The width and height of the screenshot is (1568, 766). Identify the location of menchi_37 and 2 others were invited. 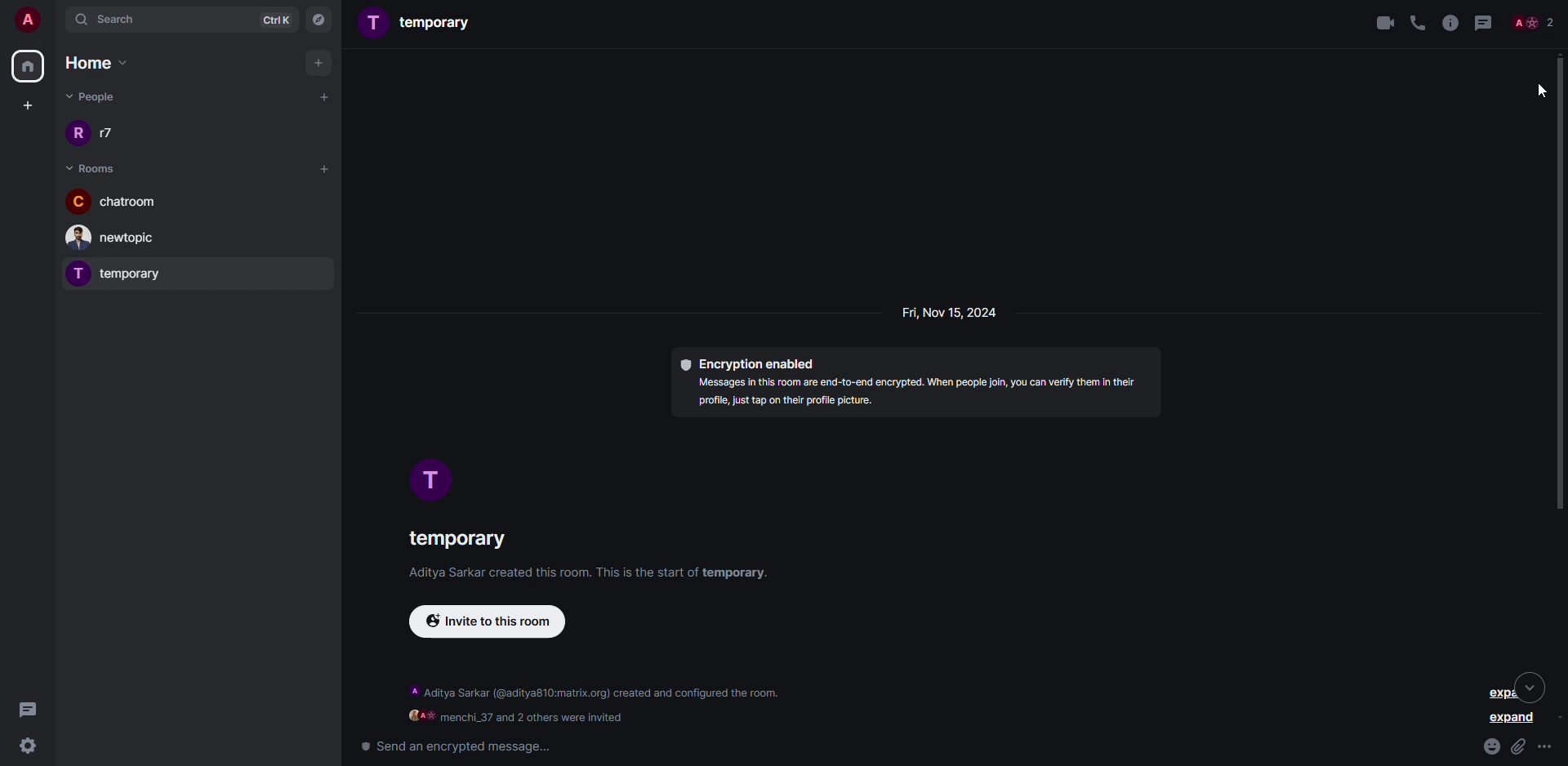
(517, 717).